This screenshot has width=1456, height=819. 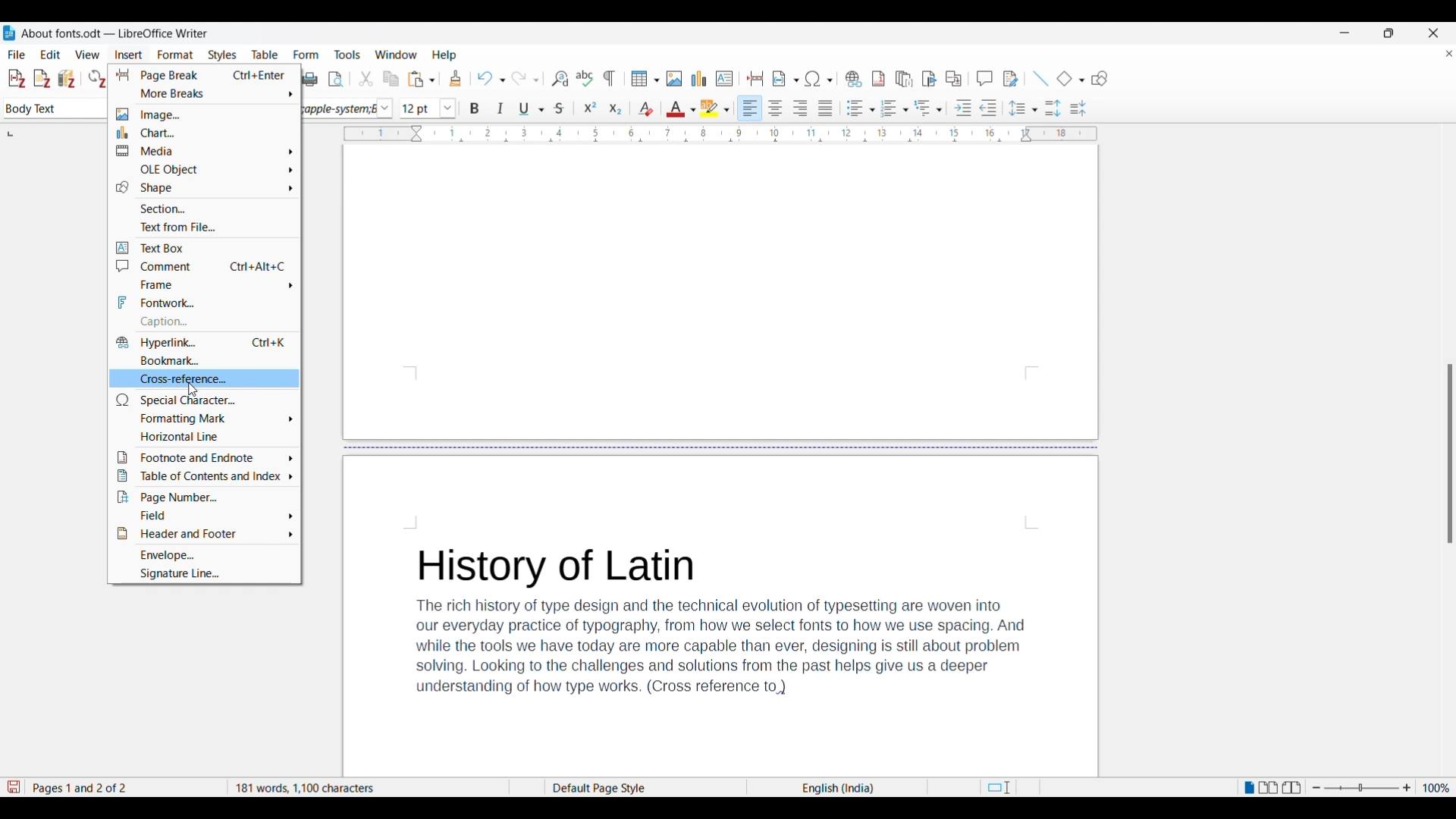 What do you see at coordinates (419, 108) in the screenshot?
I see `Input font` at bounding box center [419, 108].